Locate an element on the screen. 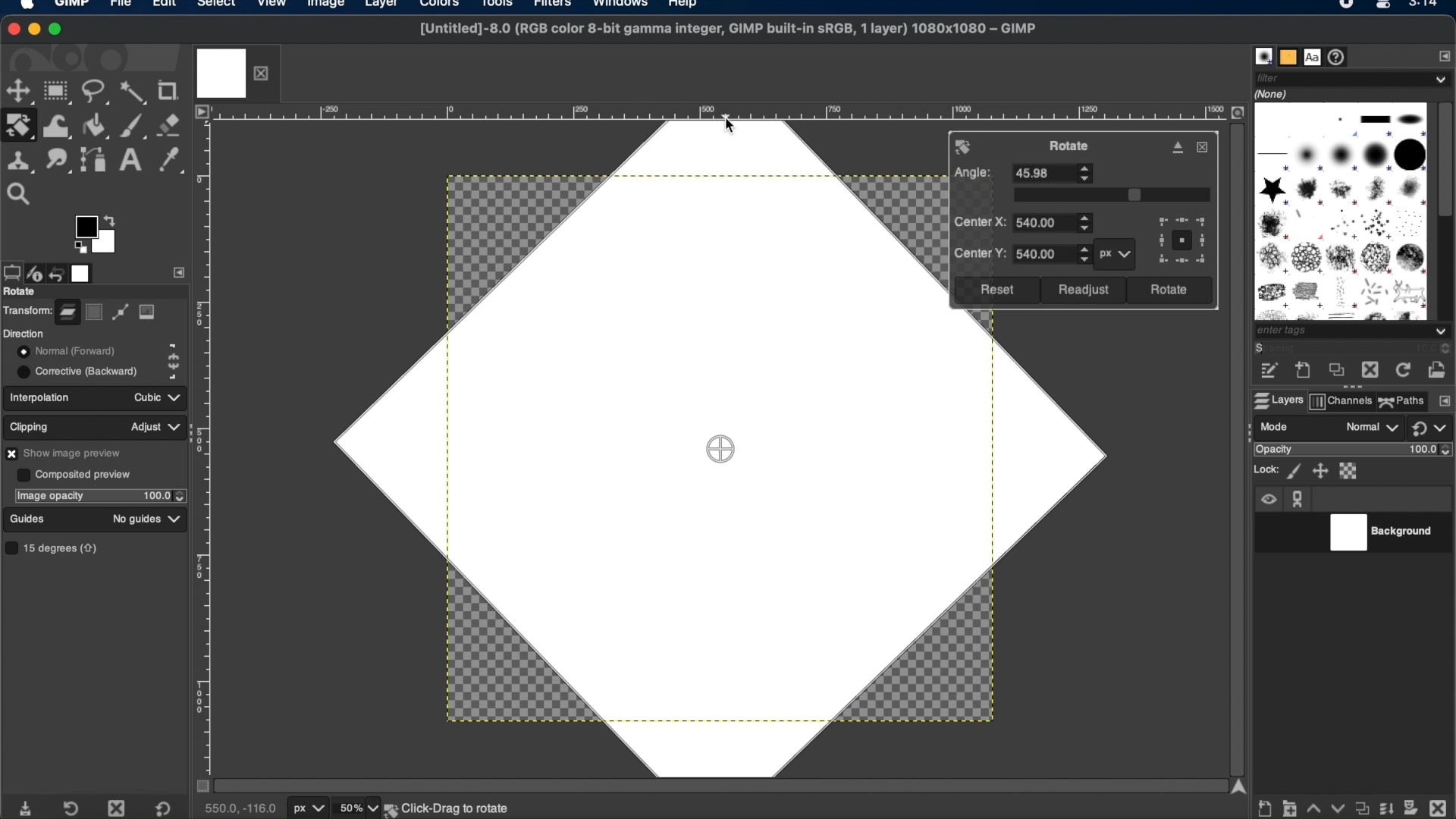 The image size is (1456, 819). preview is located at coordinates (1181, 241).